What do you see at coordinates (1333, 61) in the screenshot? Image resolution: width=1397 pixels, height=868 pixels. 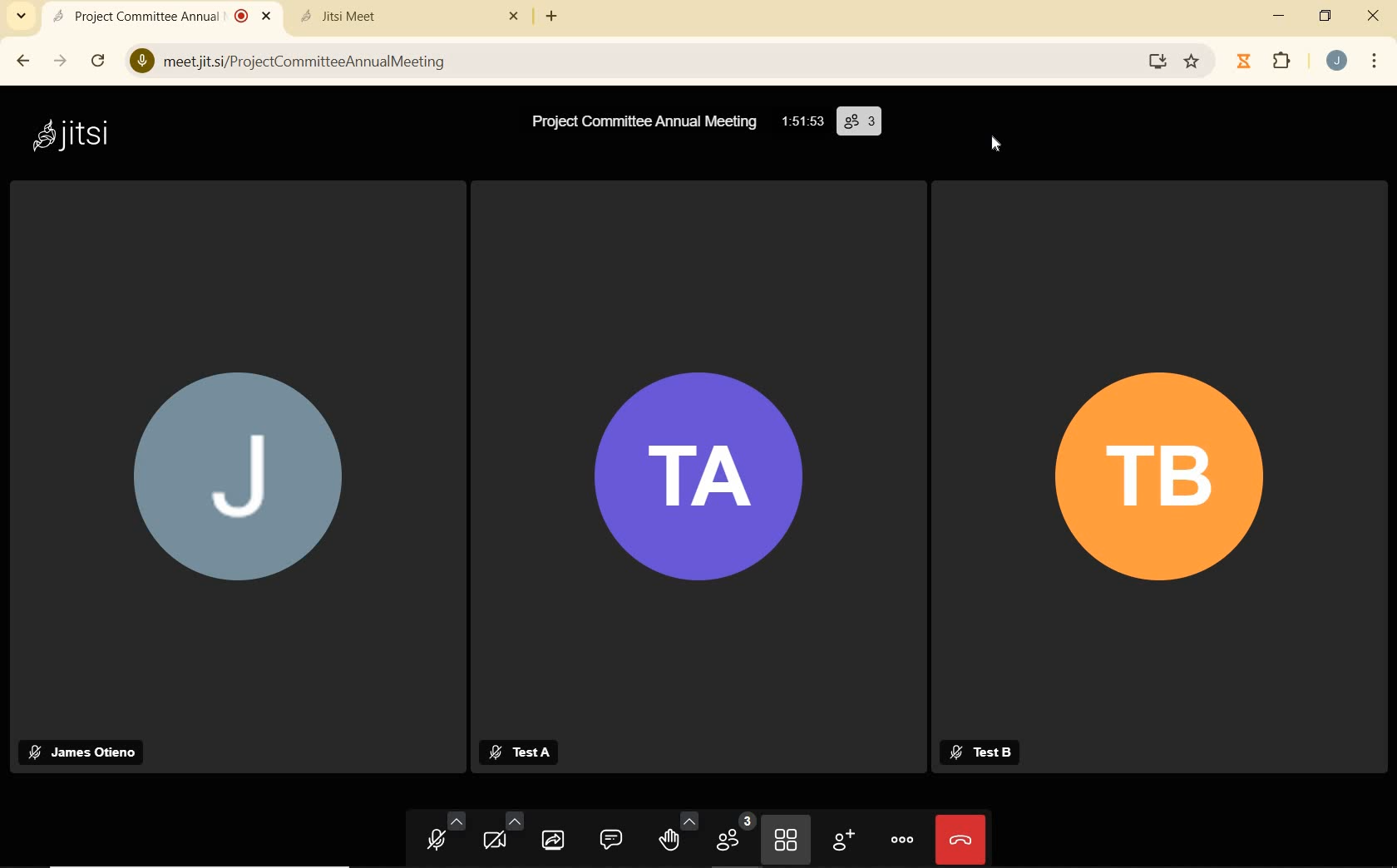 I see `account` at bounding box center [1333, 61].